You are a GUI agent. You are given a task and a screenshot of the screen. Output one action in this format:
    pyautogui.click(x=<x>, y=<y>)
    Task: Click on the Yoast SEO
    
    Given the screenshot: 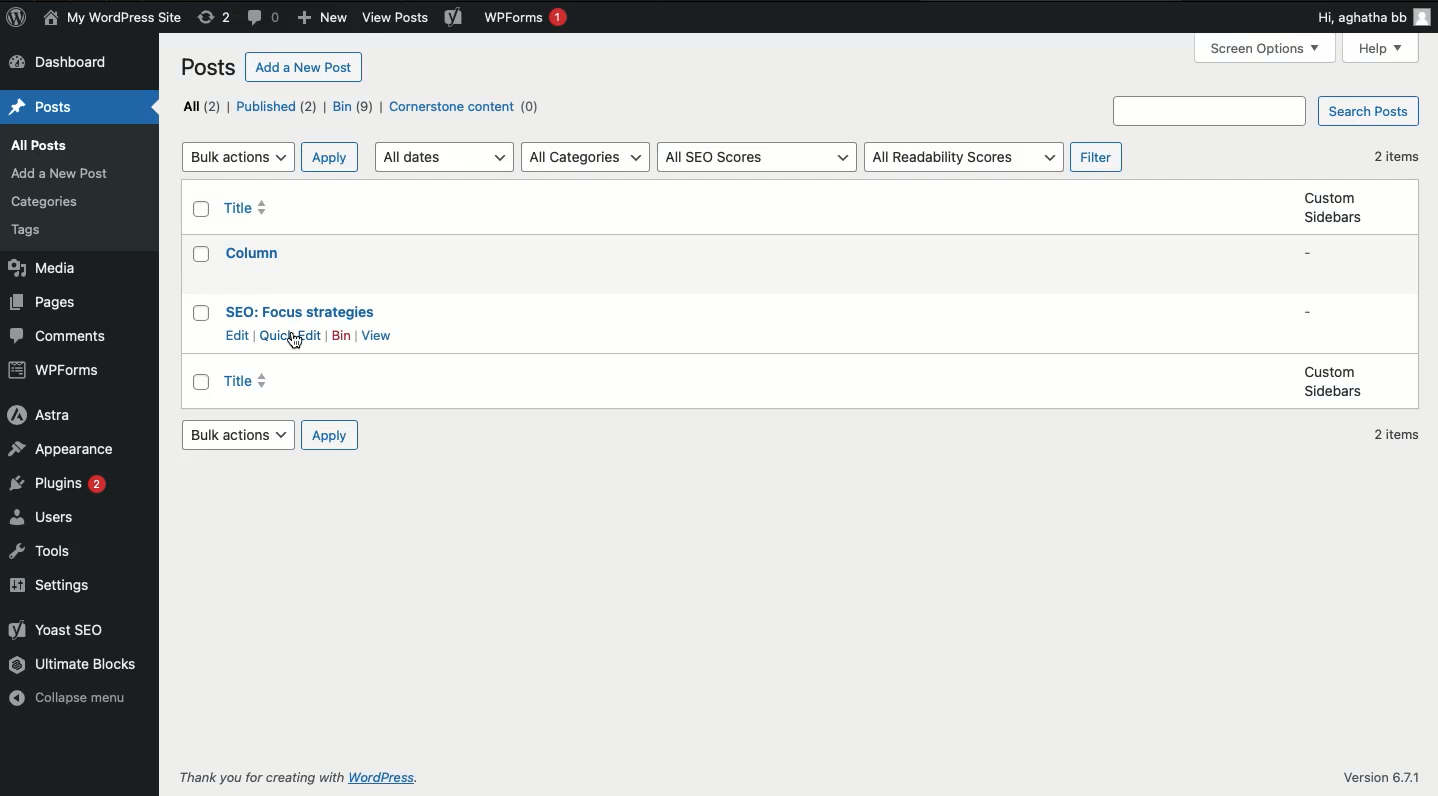 What is the action you would take?
    pyautogui.click(x=56, y=628)
    